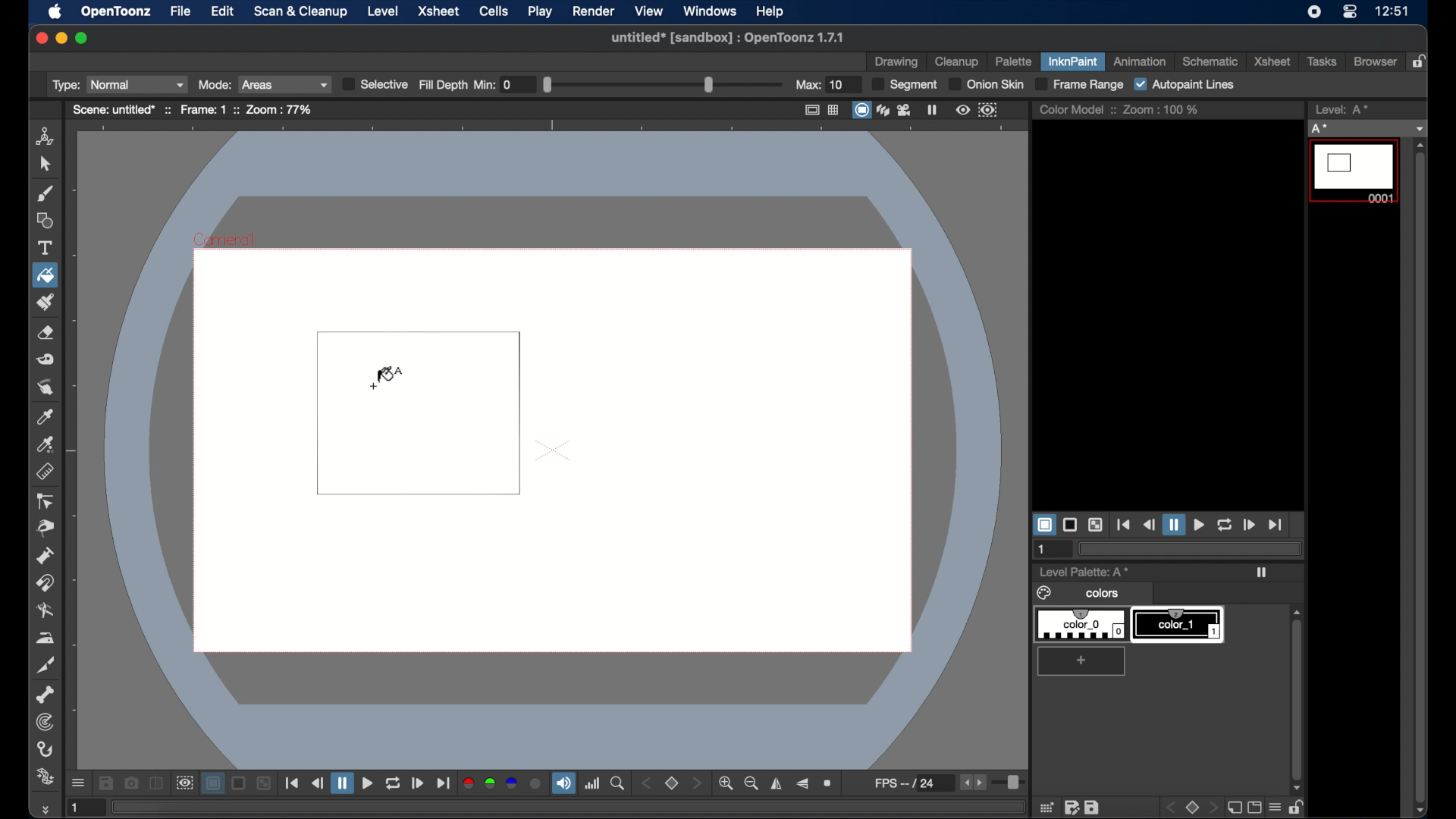  What do you see at coordinates (45, 665) in the screenshot?
I see `cutter tool` at bounding box center [45, 665].